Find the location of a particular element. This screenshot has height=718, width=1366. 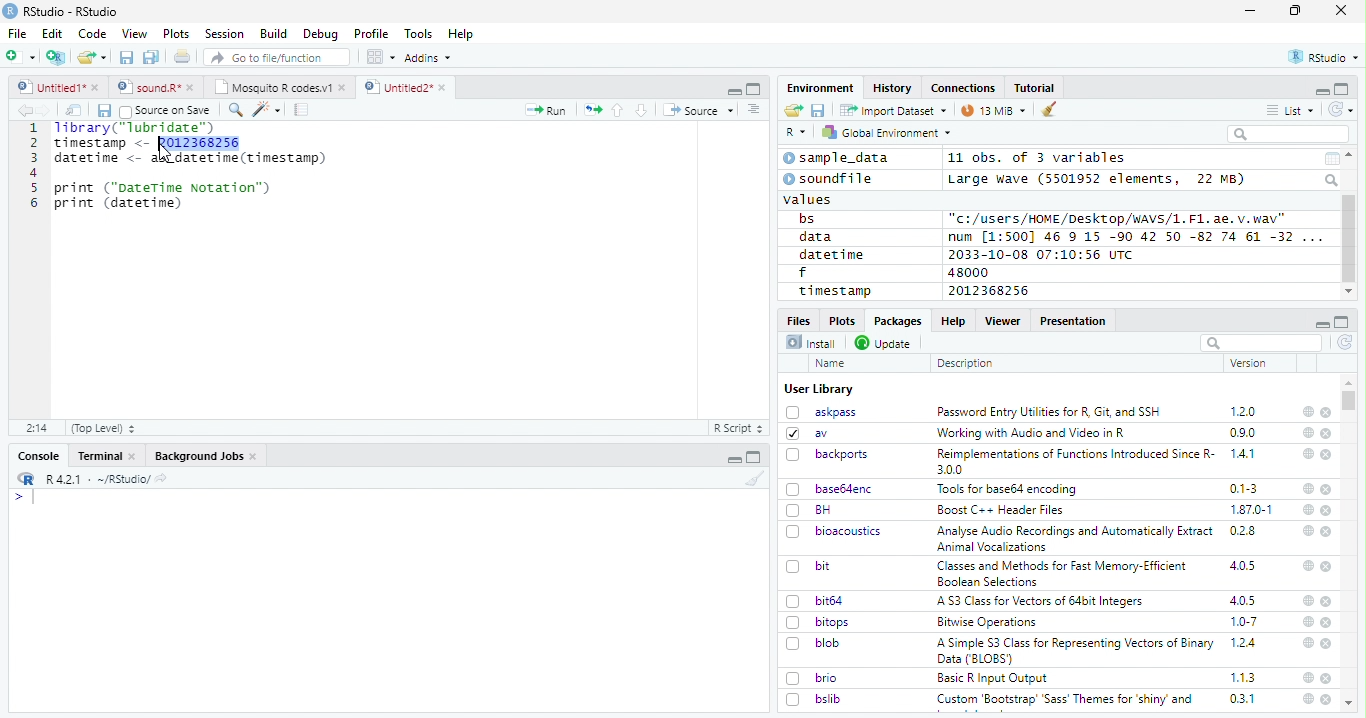

Debug is located at coordinates (321, 34).